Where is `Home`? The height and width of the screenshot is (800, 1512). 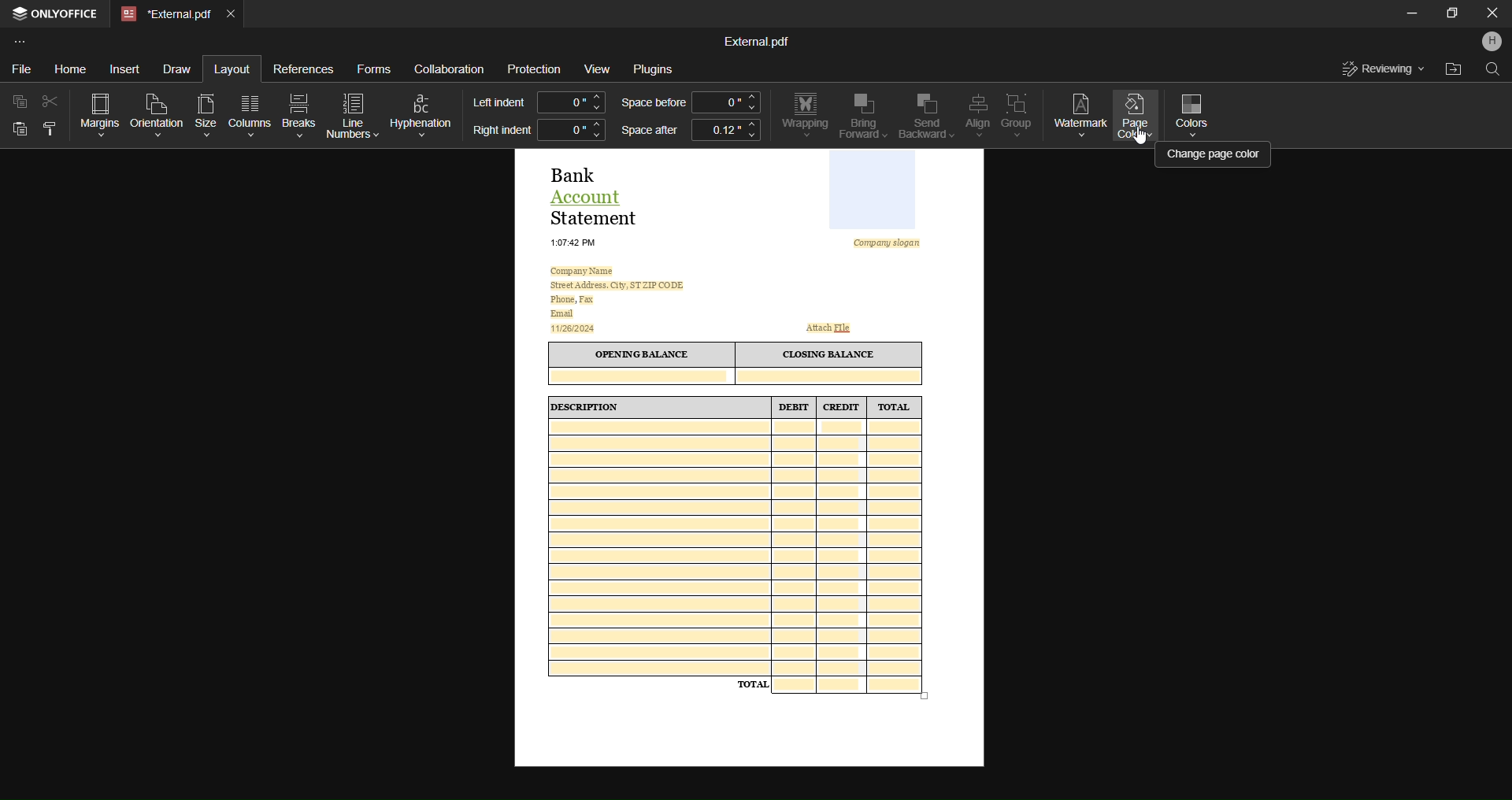
Home is located at coordinates (71, 68).